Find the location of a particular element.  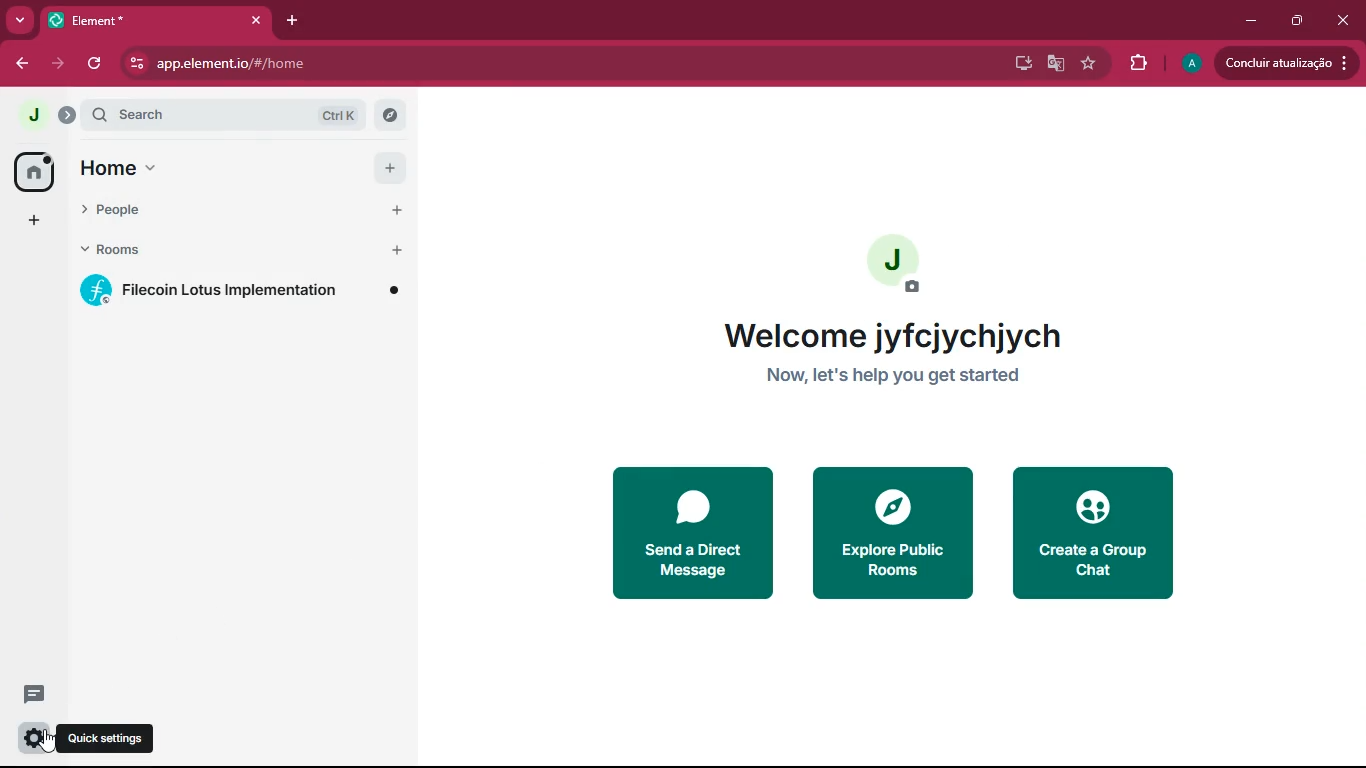

forward is located at coordinates (60, 66).